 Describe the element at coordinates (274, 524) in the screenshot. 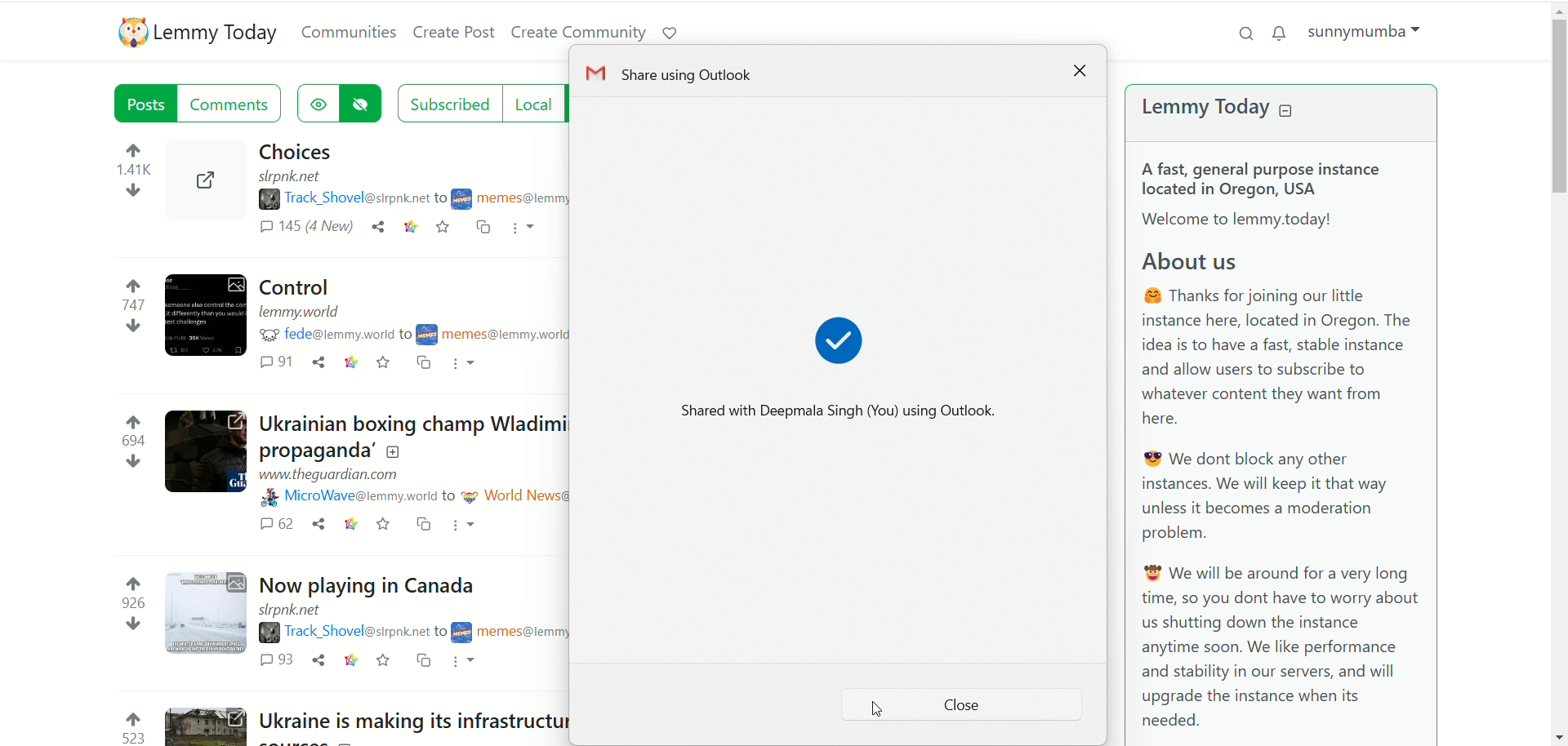

I see `comments` at that location.